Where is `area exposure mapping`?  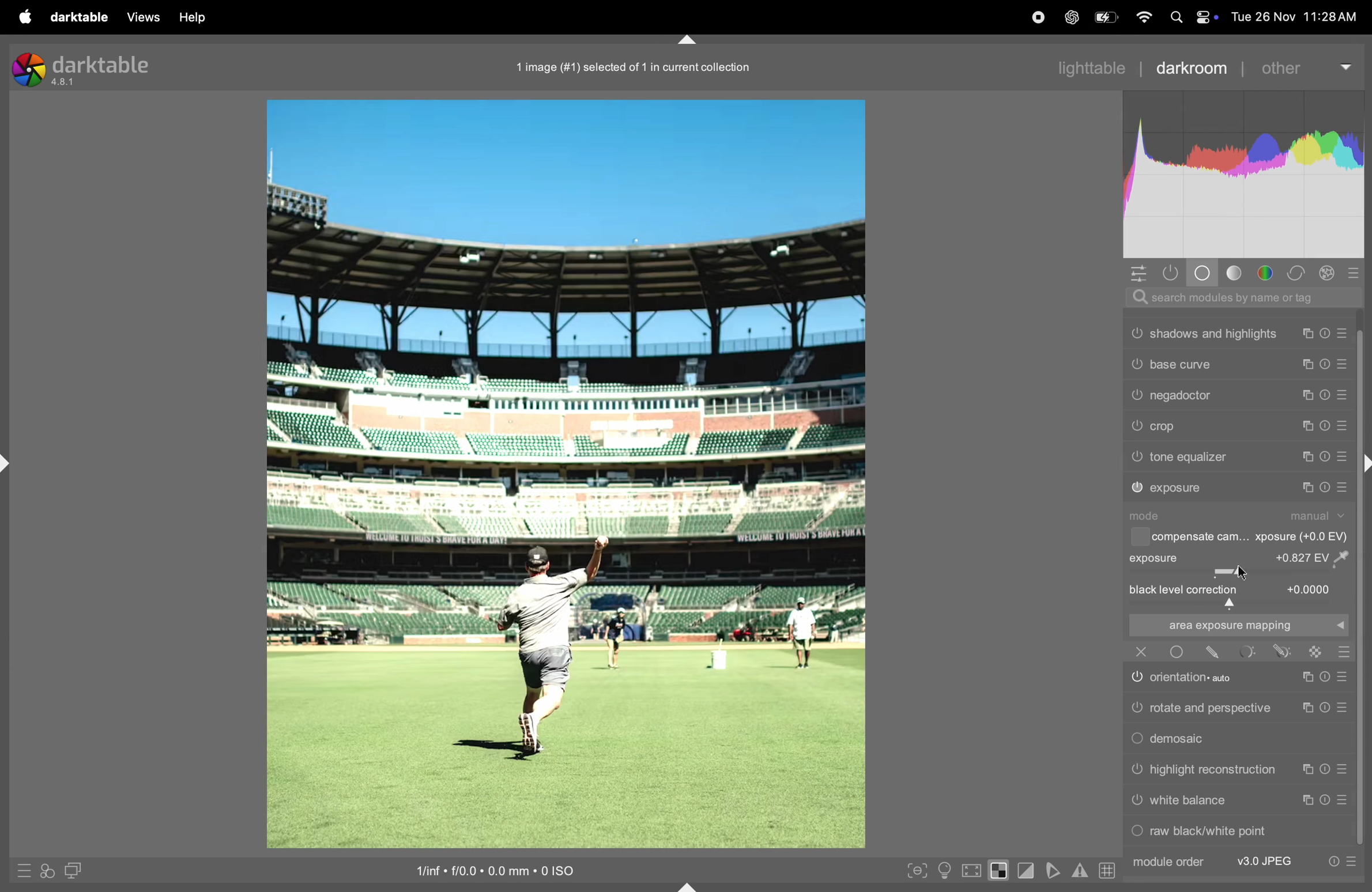 area exposure mapping is located at coordinates (1237, 625).